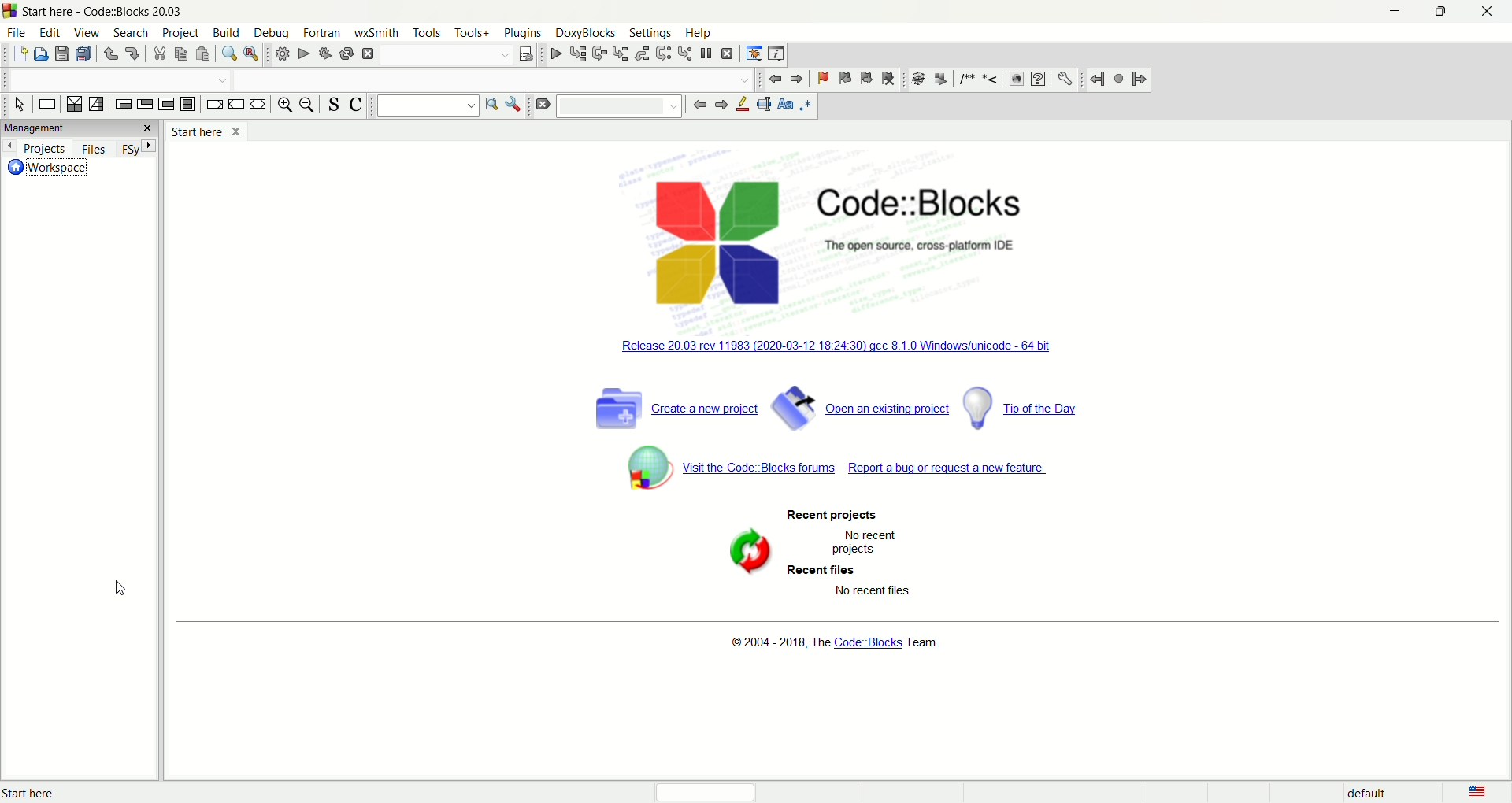 The height and width of the screenshot is (803, 1512). I want to click on debug, so click(554, 55).